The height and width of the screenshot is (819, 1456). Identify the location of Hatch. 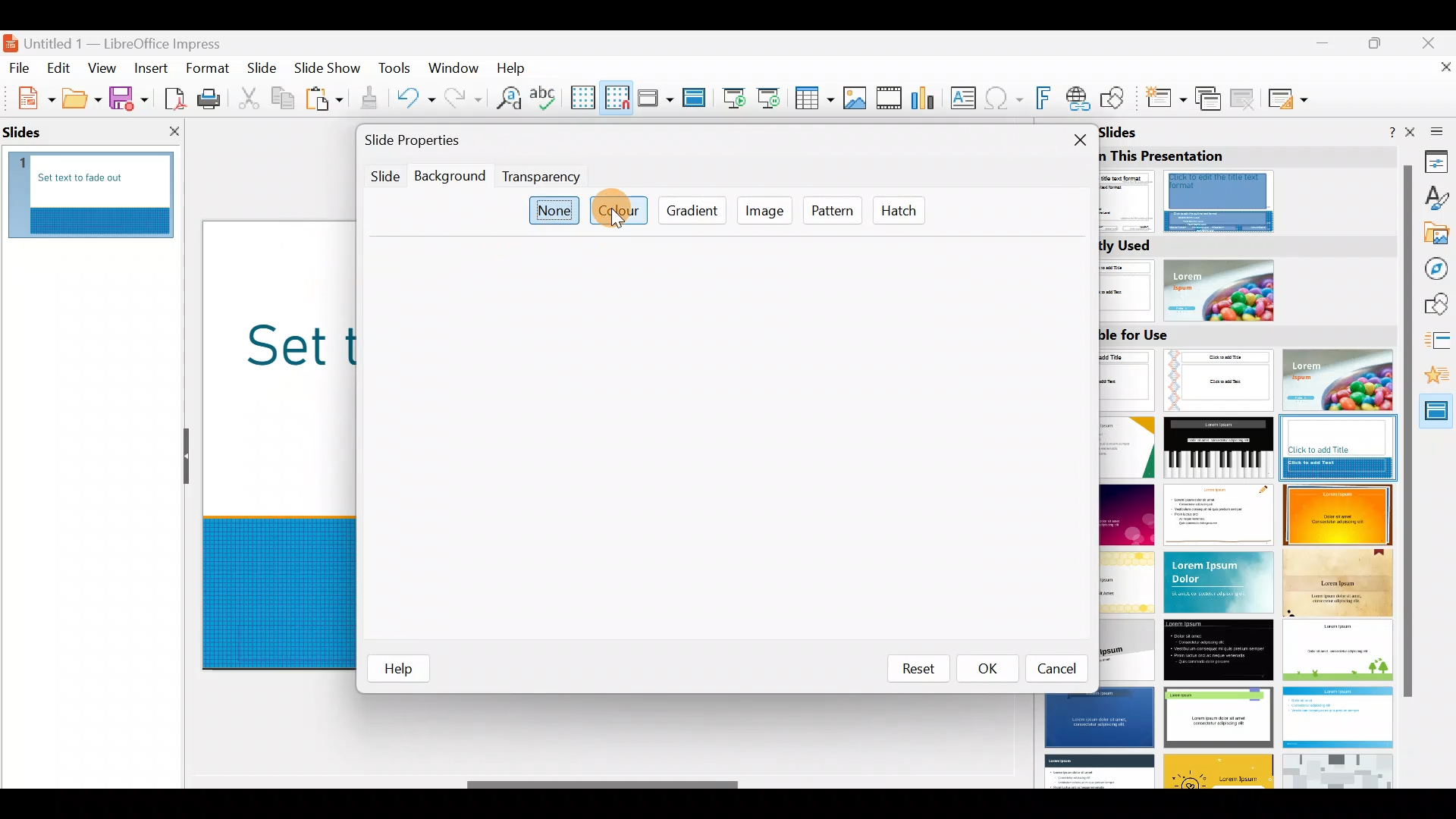
(899, 212).